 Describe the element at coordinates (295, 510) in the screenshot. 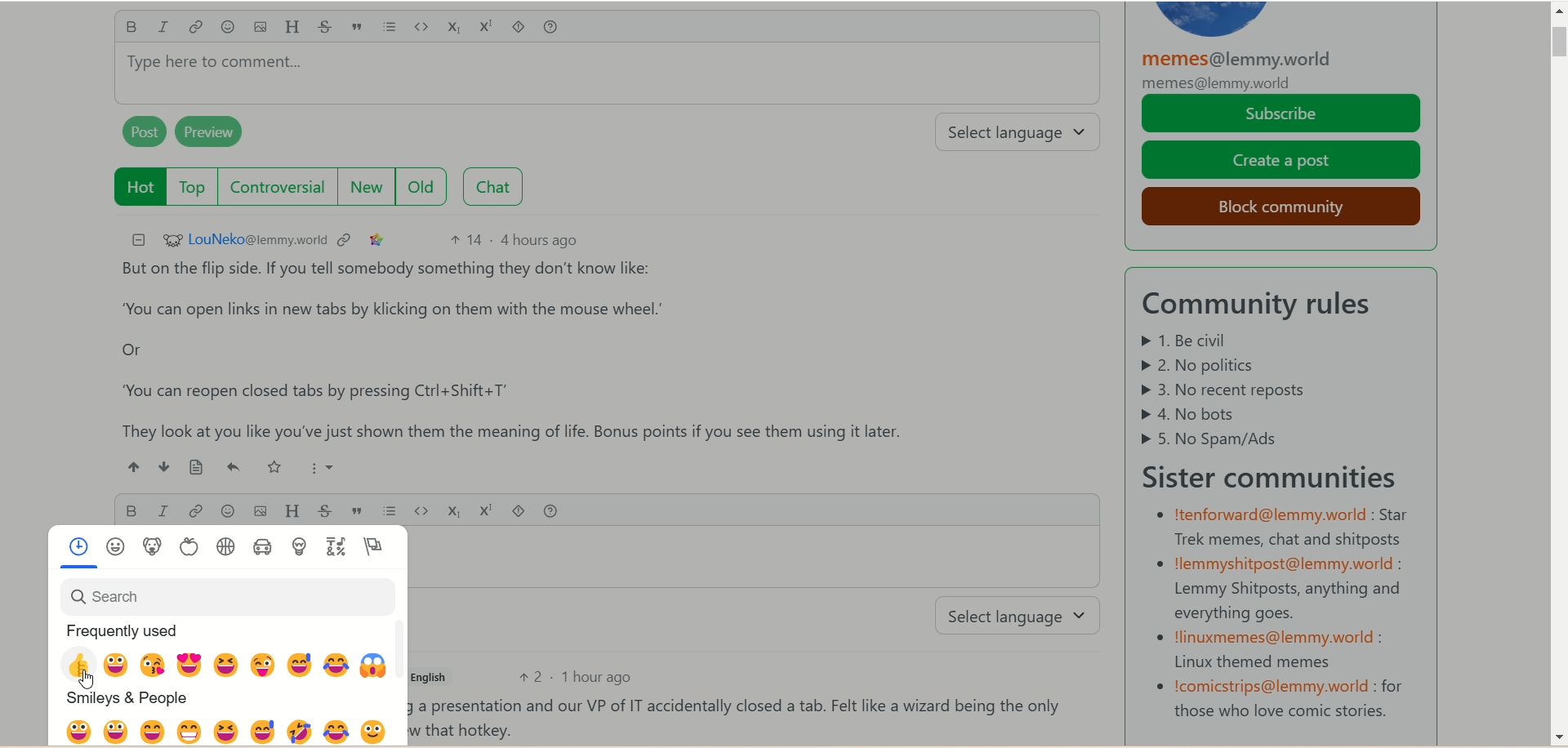

I see `header` at that location.